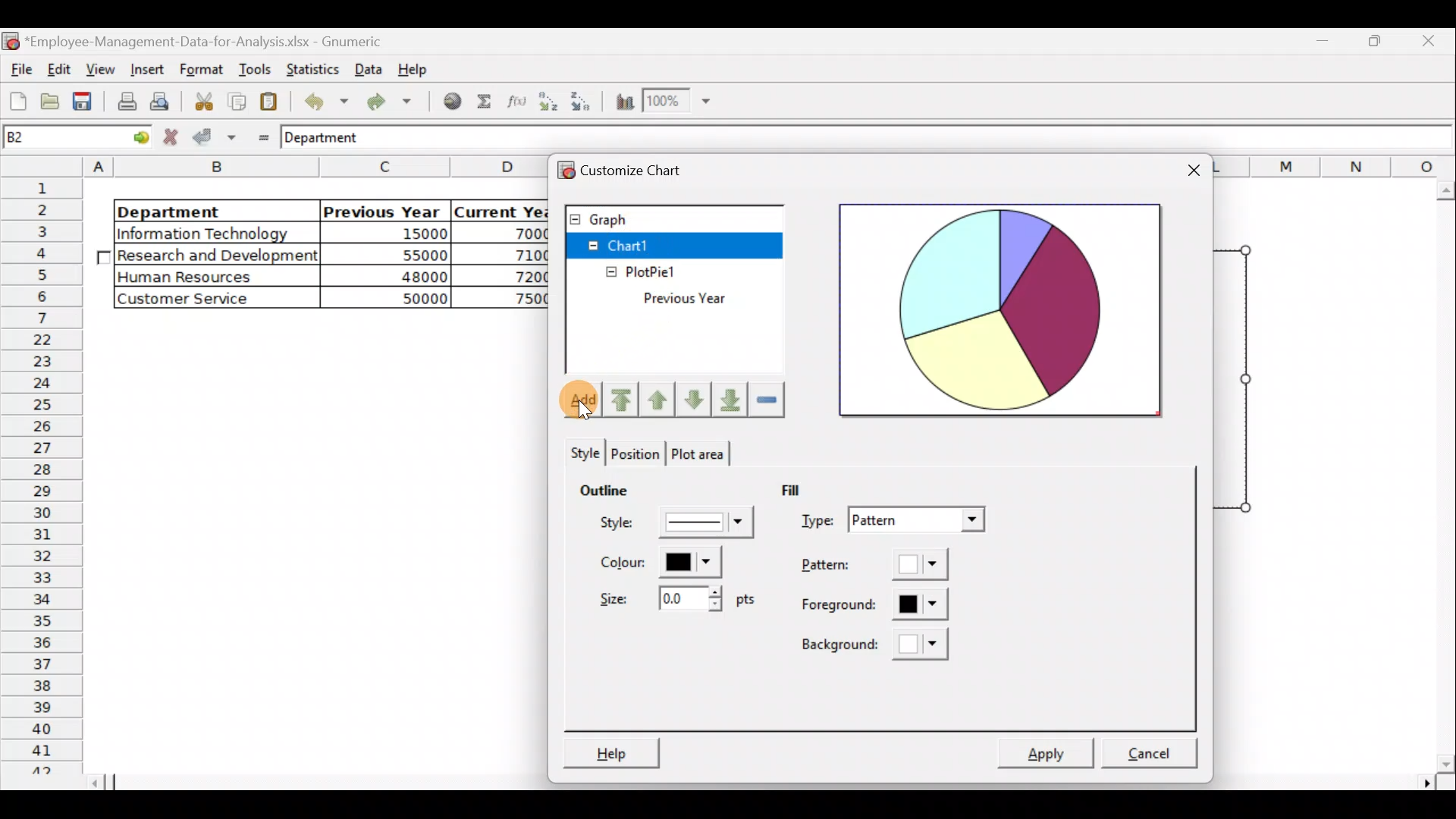 The height and width of the screenshot is (819, 1456). What do you see at coordinates (259, 136) in the screenshot?
I see `Enter formula` at bounding box center [259, 136].